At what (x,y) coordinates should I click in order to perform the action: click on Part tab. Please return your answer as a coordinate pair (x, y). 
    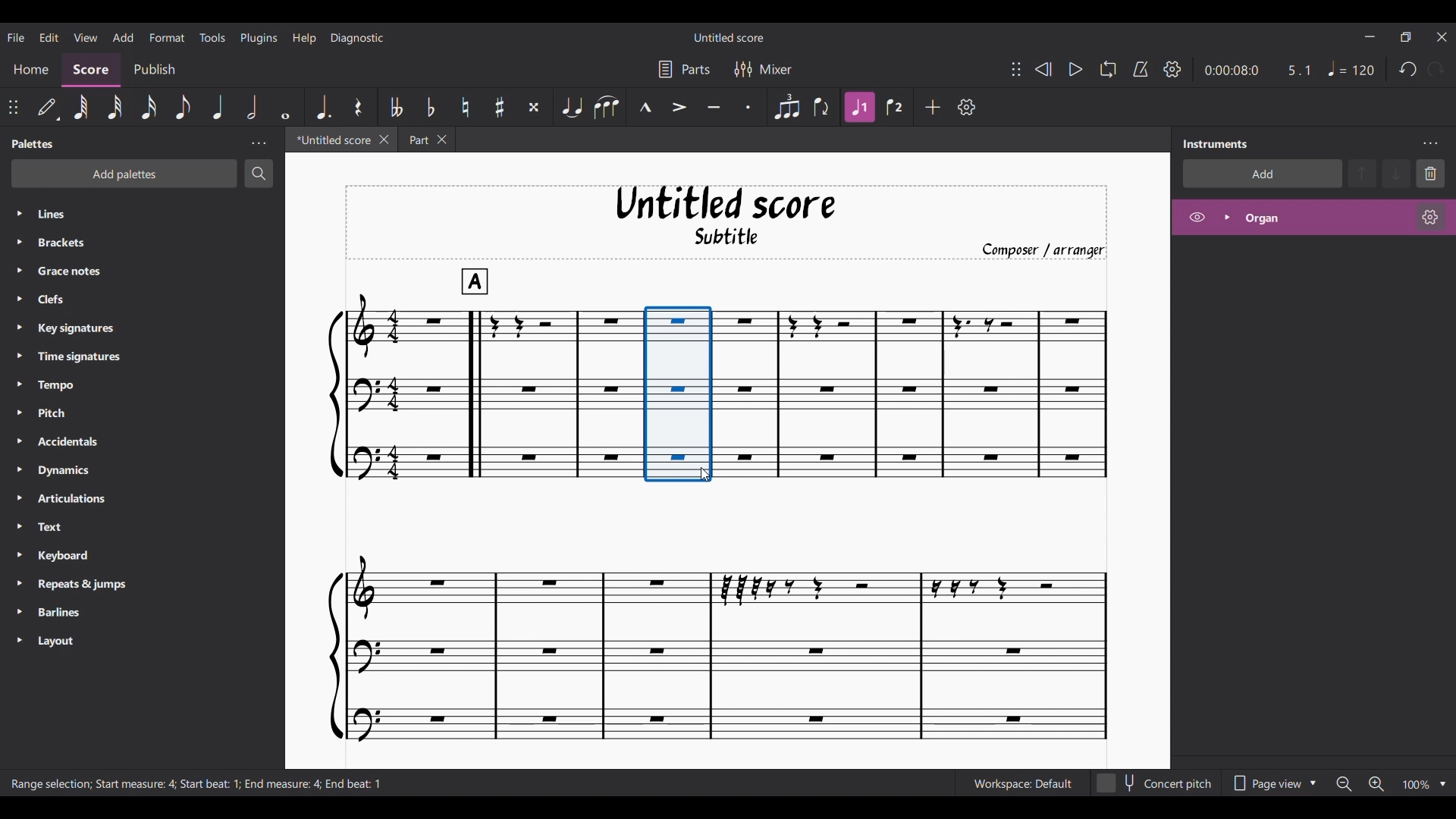
    Looking at the image, I should click on (417, 140).